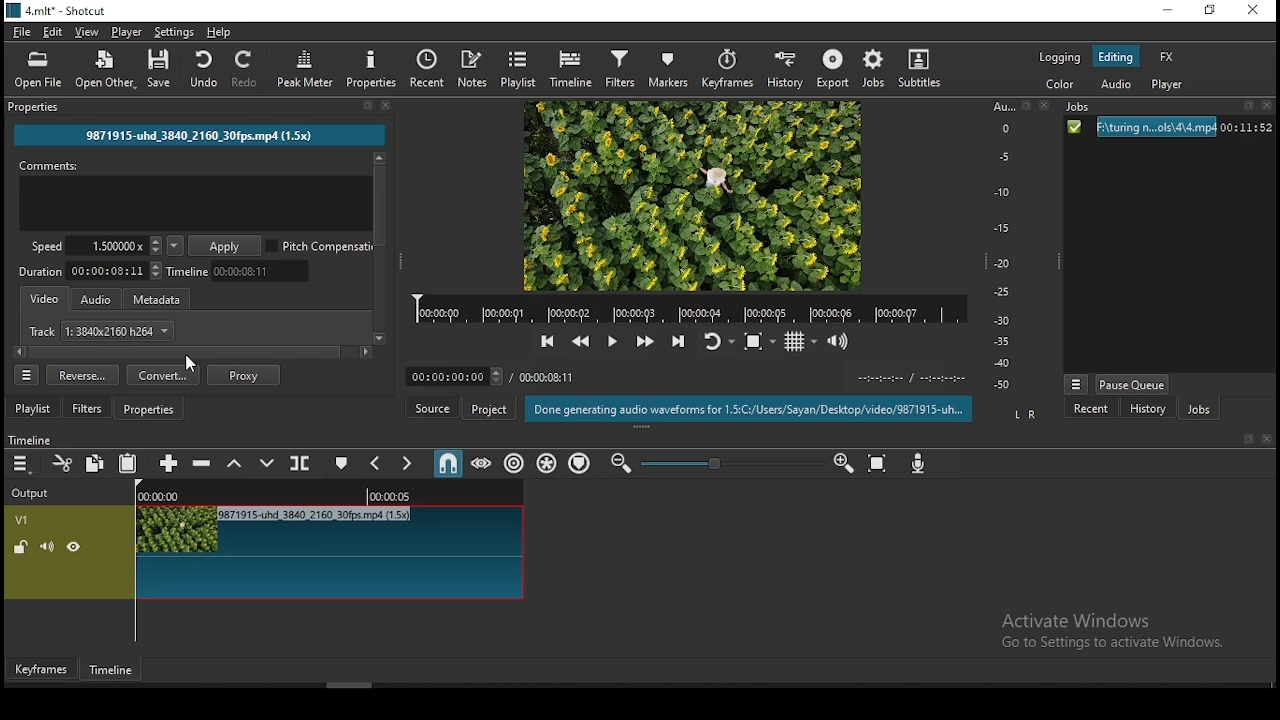  What do you see at coordinates (919, 67) in the screenshot?
I see `subtitles` at bounding box center [919, 67].